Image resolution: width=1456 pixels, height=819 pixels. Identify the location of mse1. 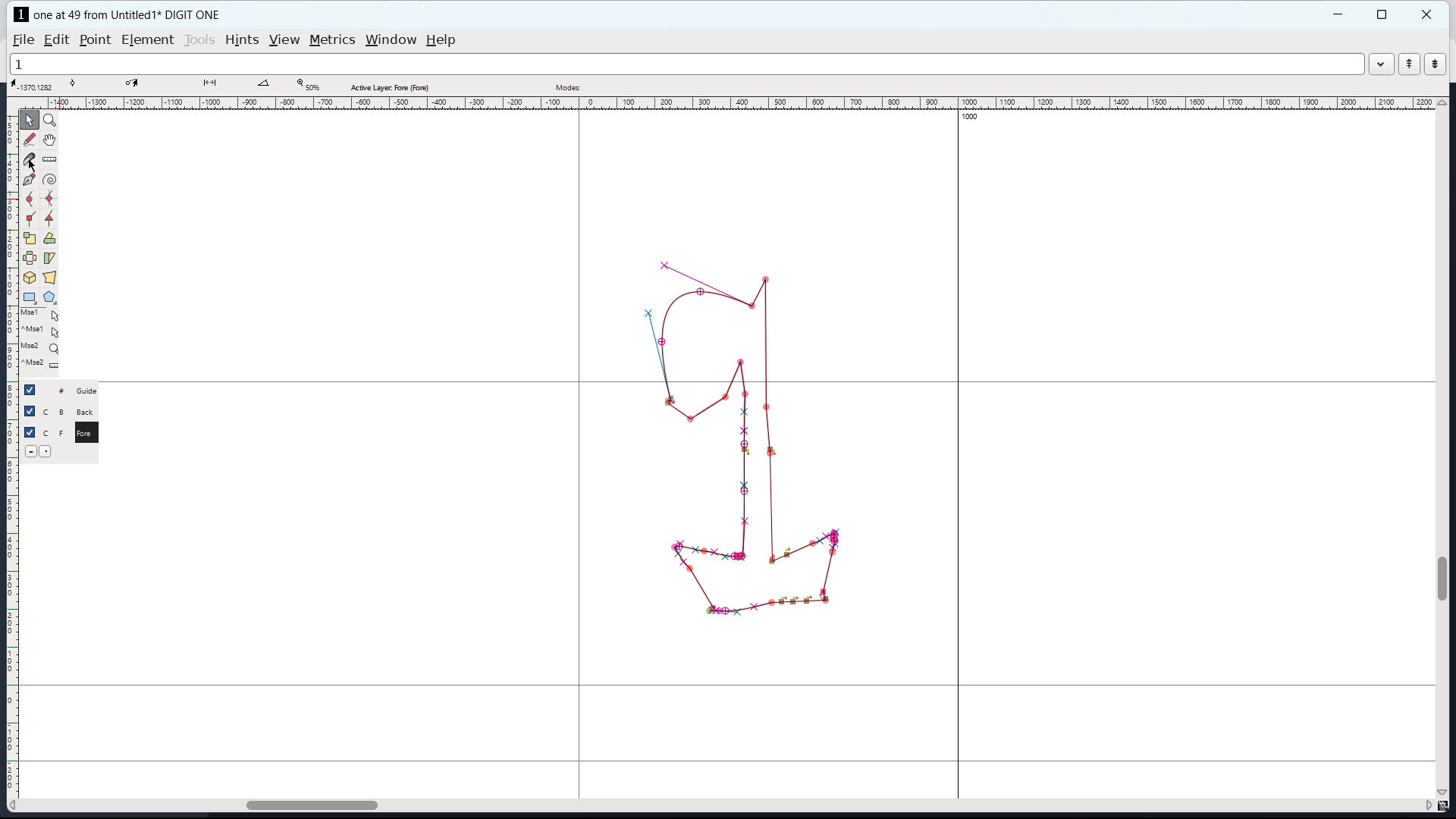
(40, 313).